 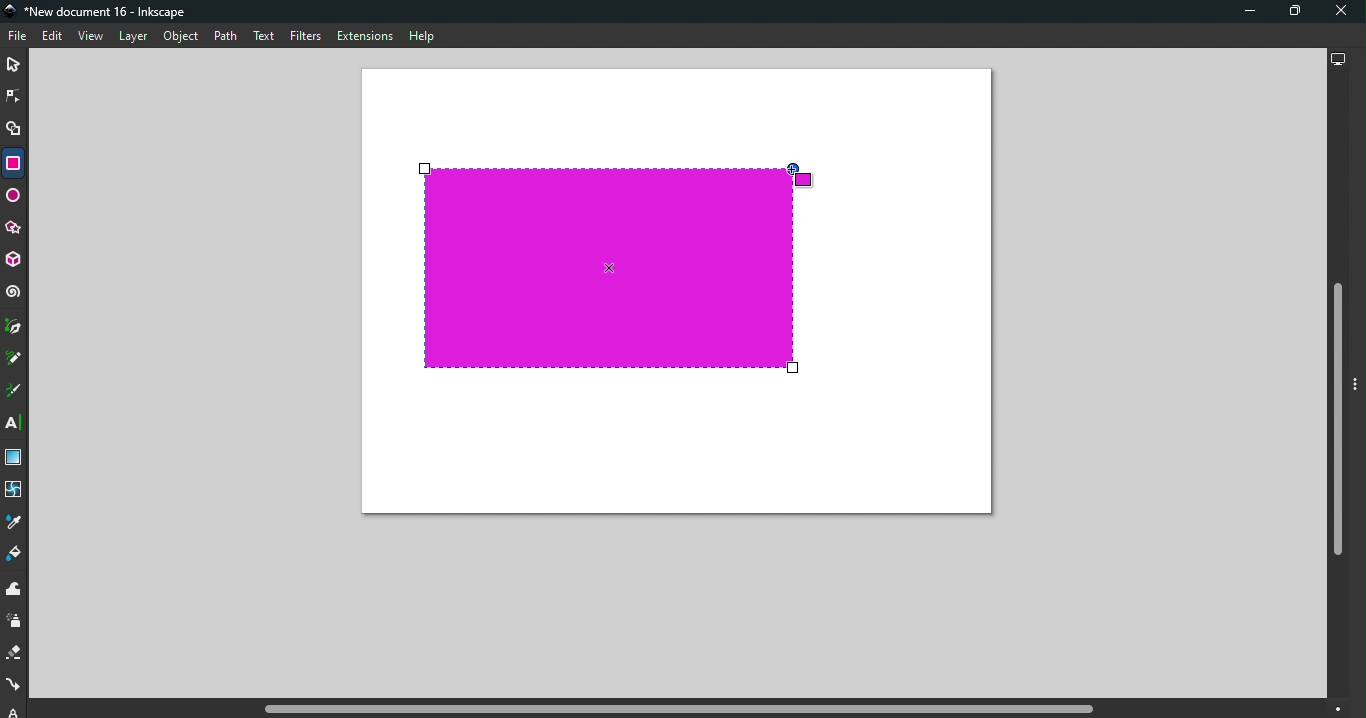 What do you see at coordinates (306, 38) in the screenshot?
I see `Filters` at bounding box center [306, 38].